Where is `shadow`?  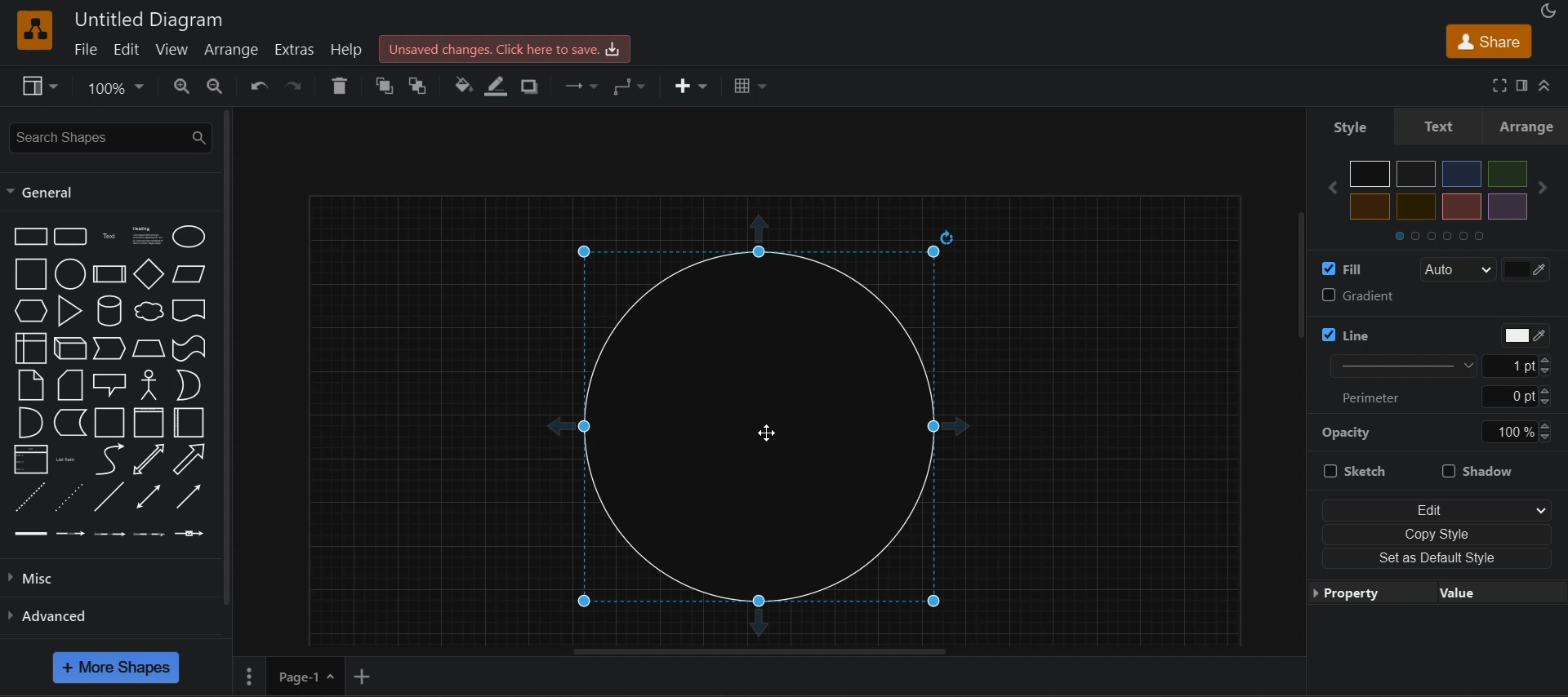
shadow is located at coordinates (1501, 472).